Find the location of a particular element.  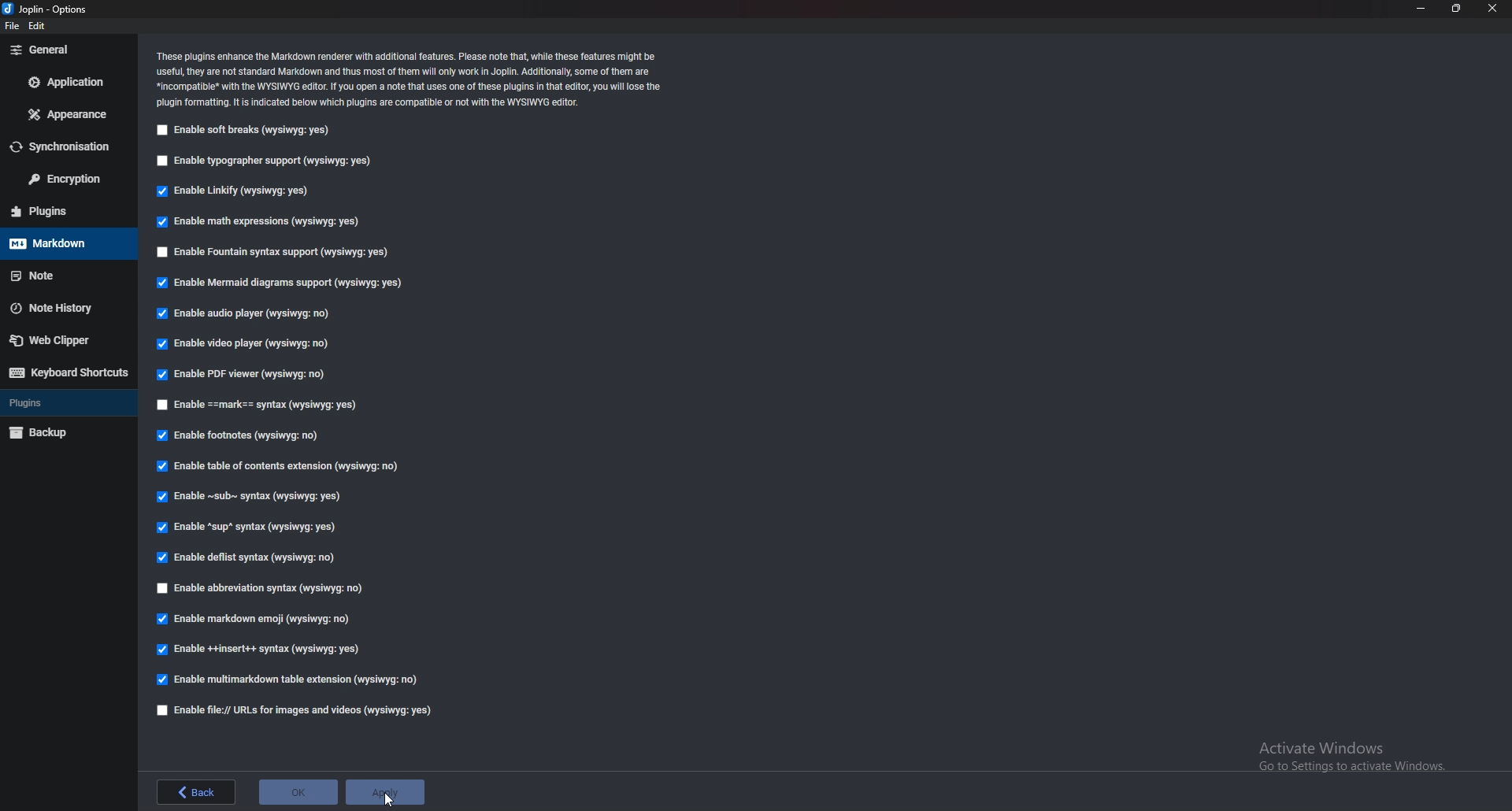

Enable abbreviation syntax is located at coordinates (287, 587).